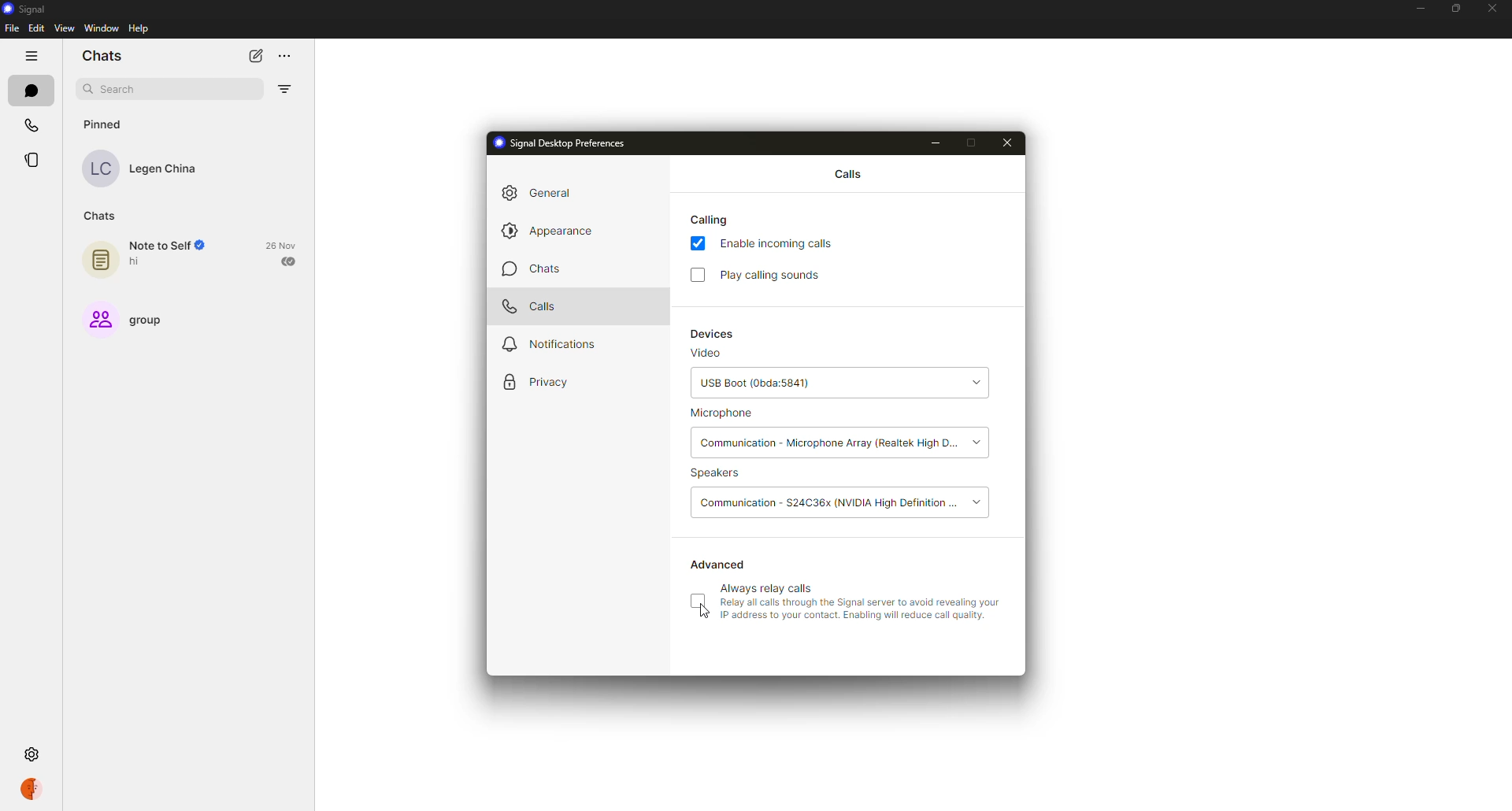 The width and height of the screenshot is (1512, 811). Describe the element at coordinates (974, 143) in the screenshot. I see `maximize` at that location.